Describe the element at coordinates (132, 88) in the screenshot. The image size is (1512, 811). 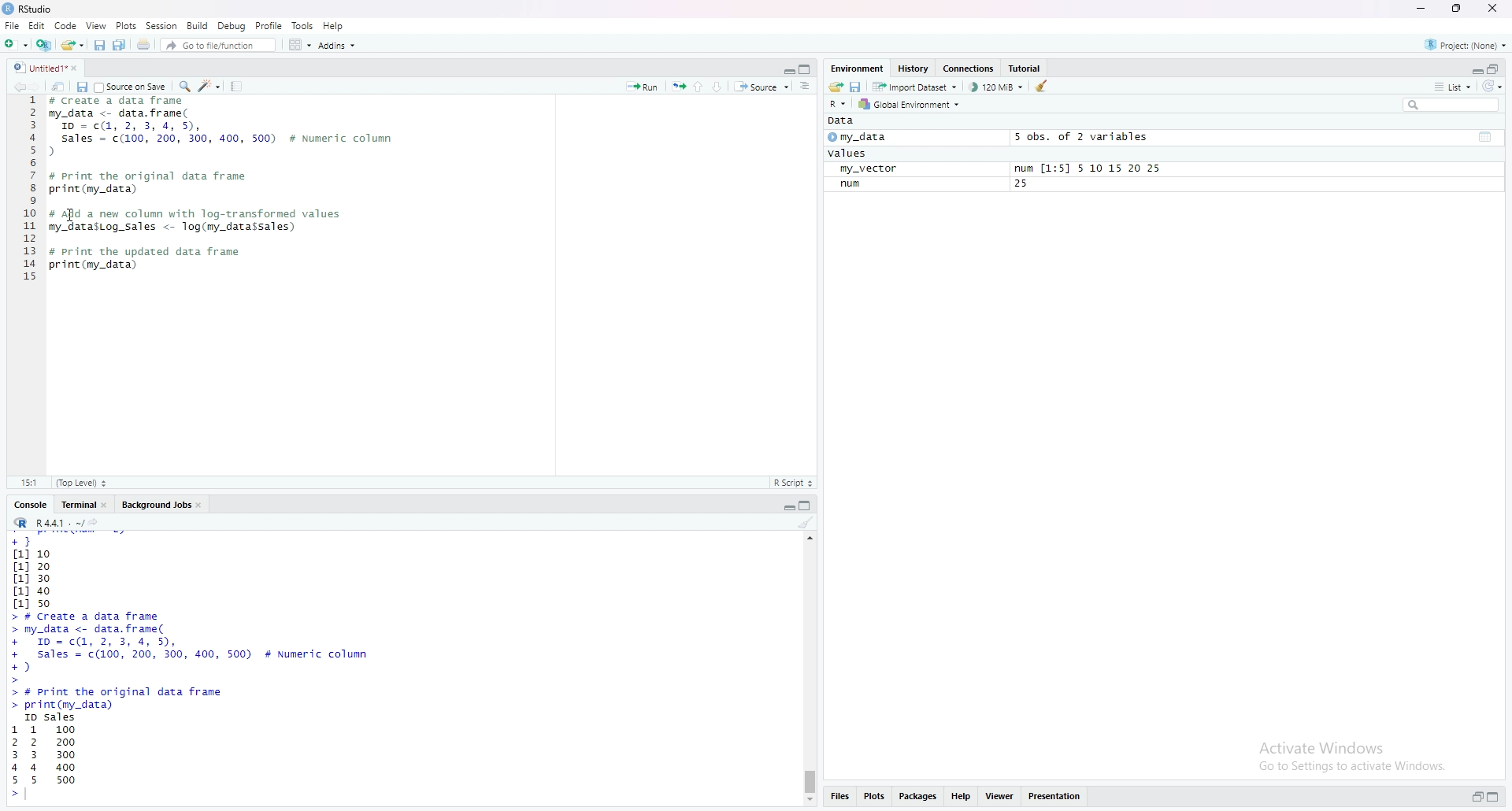
I see `source on save` at that location.